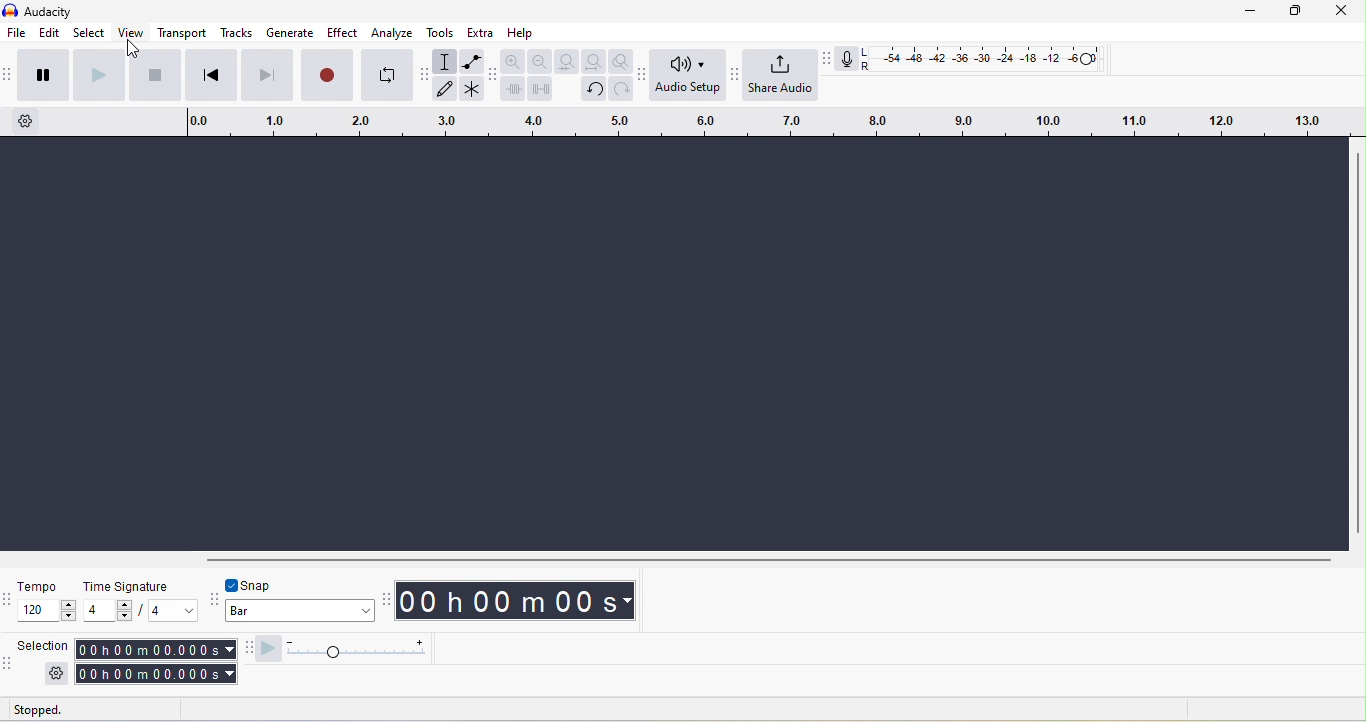  Describe the element at coordinates (1342, 11) in the screenshot. I see `close` at that location.